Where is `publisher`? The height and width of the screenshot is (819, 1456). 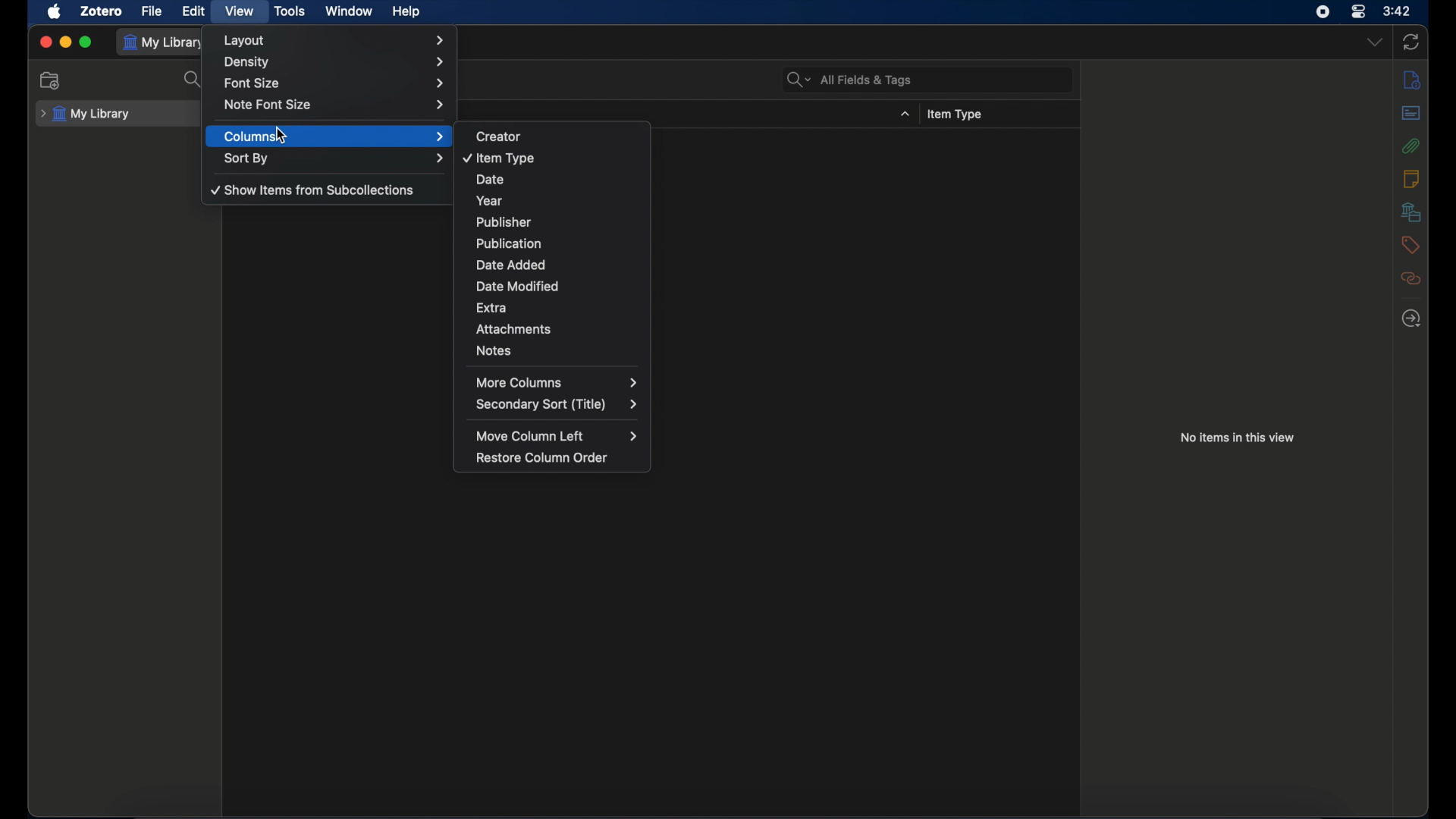 publisher is located at coordinates (557, 222).